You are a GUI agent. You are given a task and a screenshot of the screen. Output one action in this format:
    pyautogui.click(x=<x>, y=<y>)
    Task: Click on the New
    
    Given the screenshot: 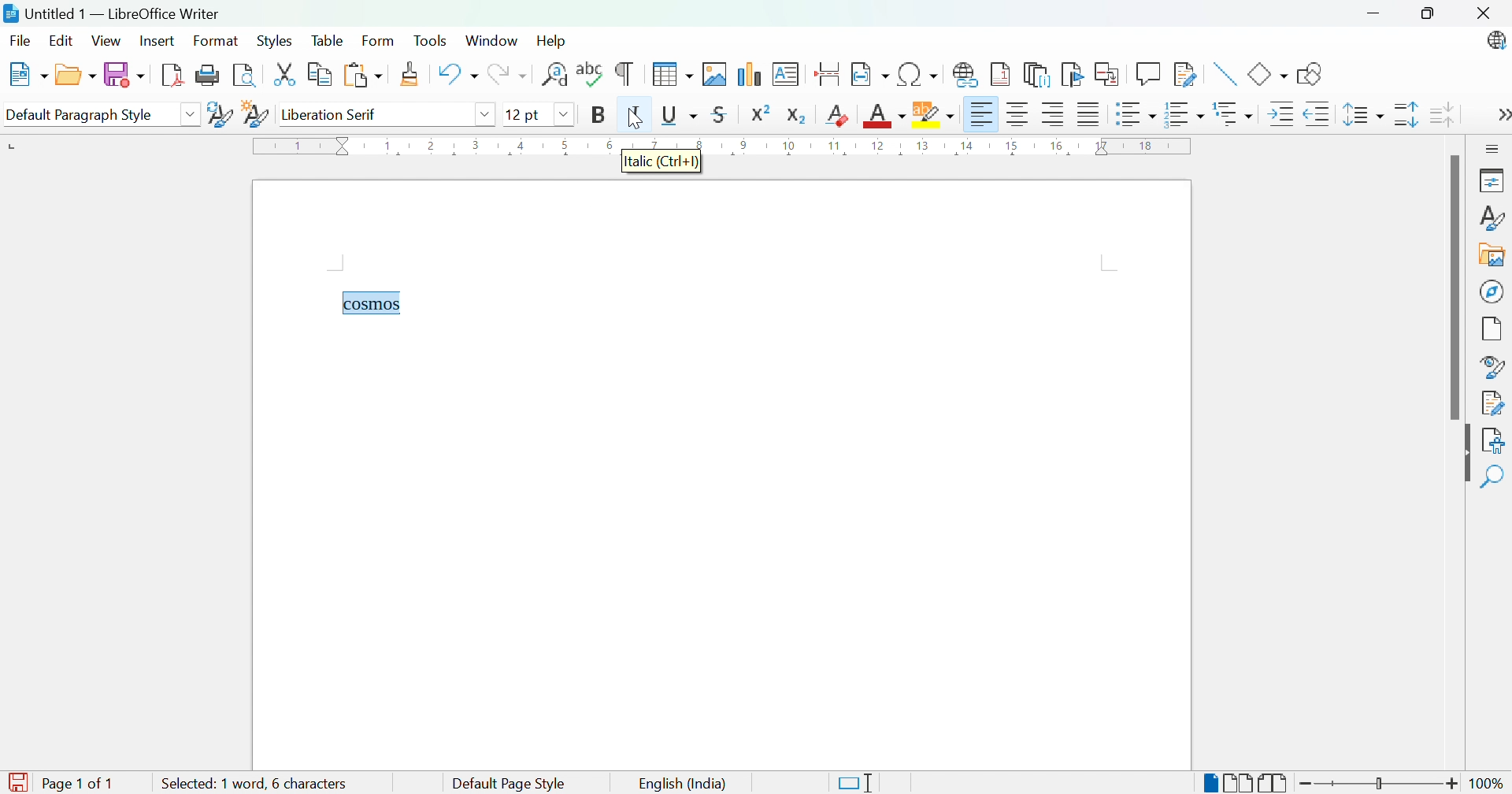 What is the action you would take?
    pyautogui.click(x=31, y=73)
    